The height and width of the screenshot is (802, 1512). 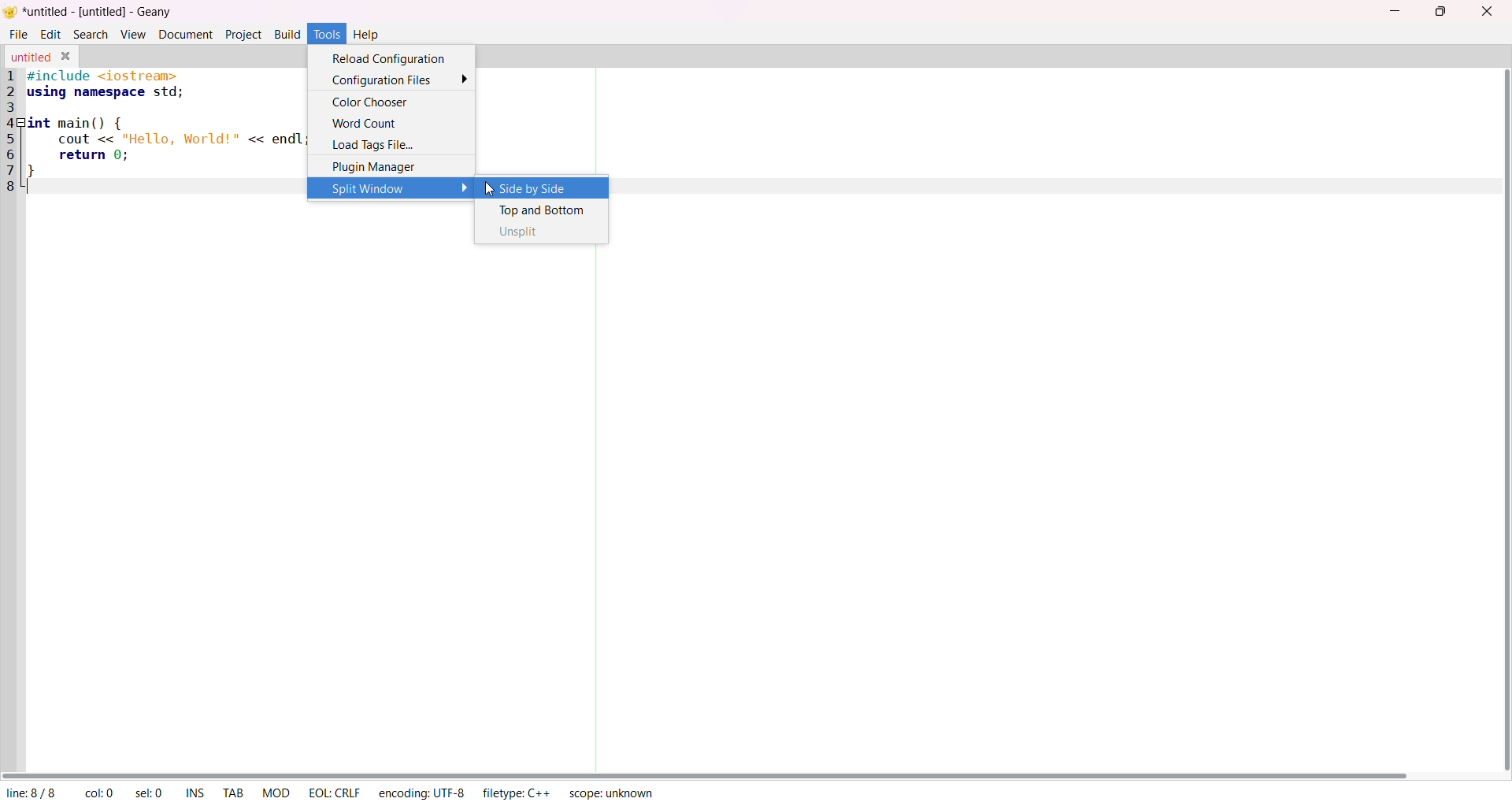 I want to click on Help, so click(x=370, y=34).